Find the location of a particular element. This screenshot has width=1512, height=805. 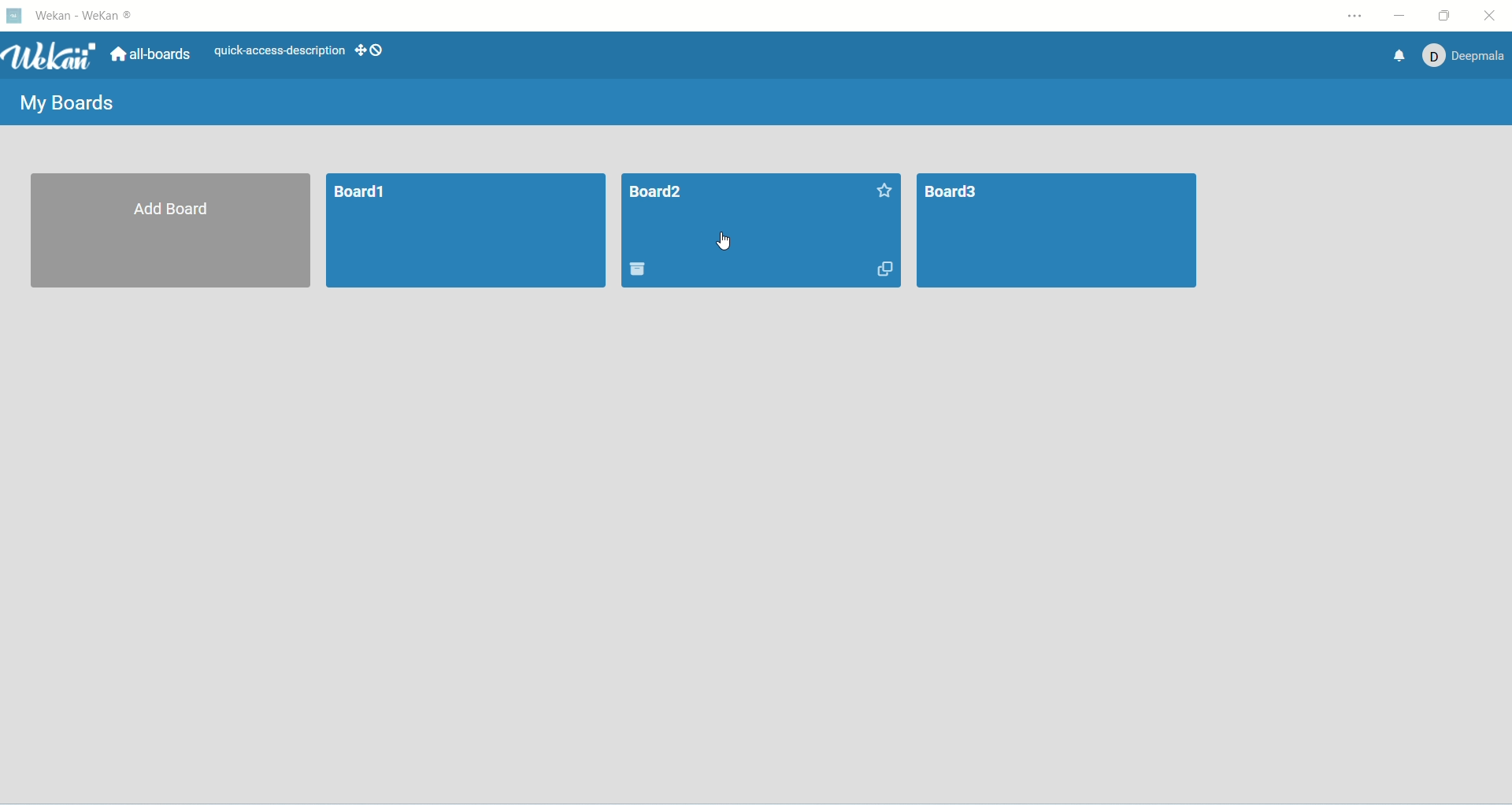

board3 is located at coordinates (951, 193).